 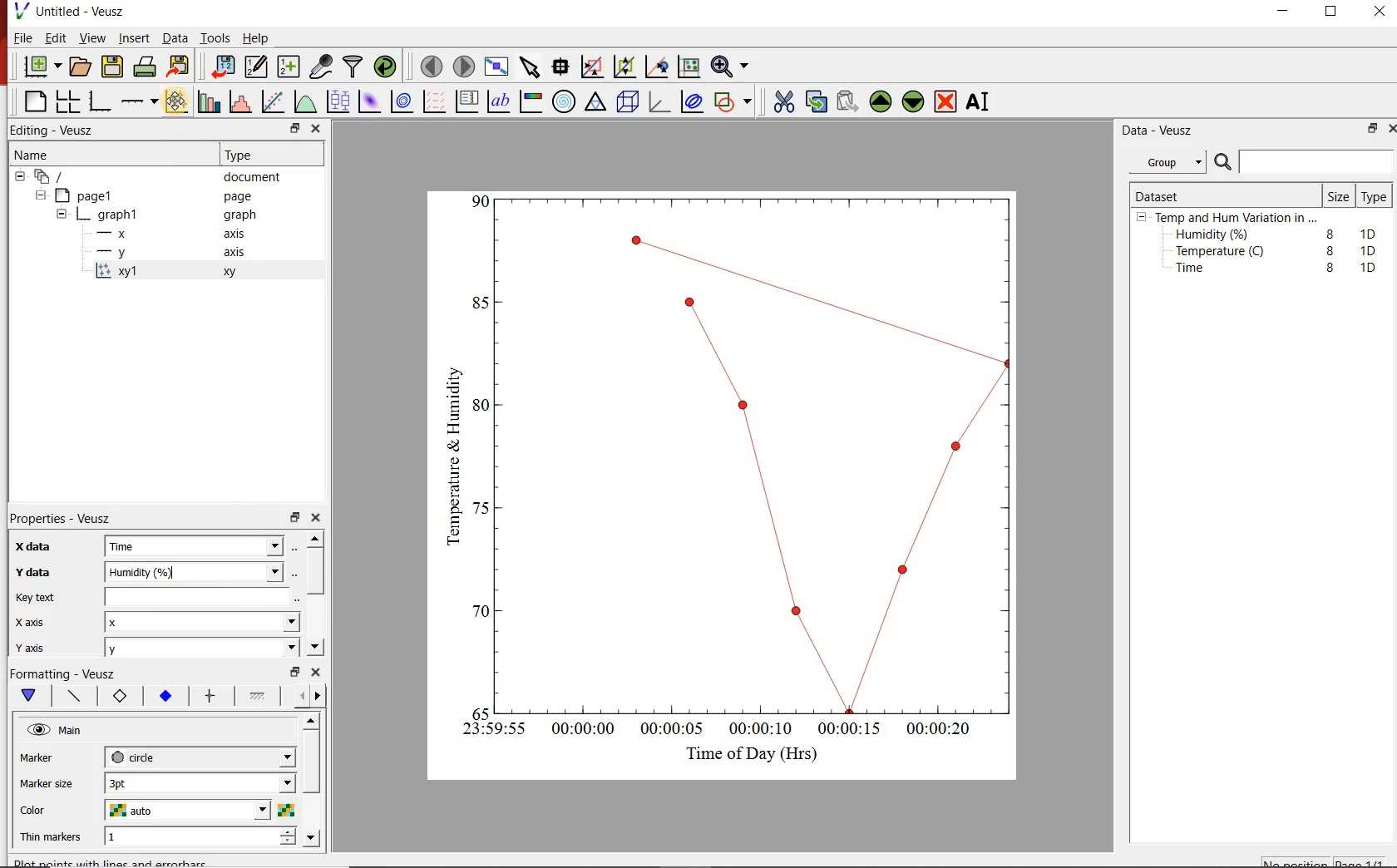 I want to click on xy, so click(x=234, y=276).